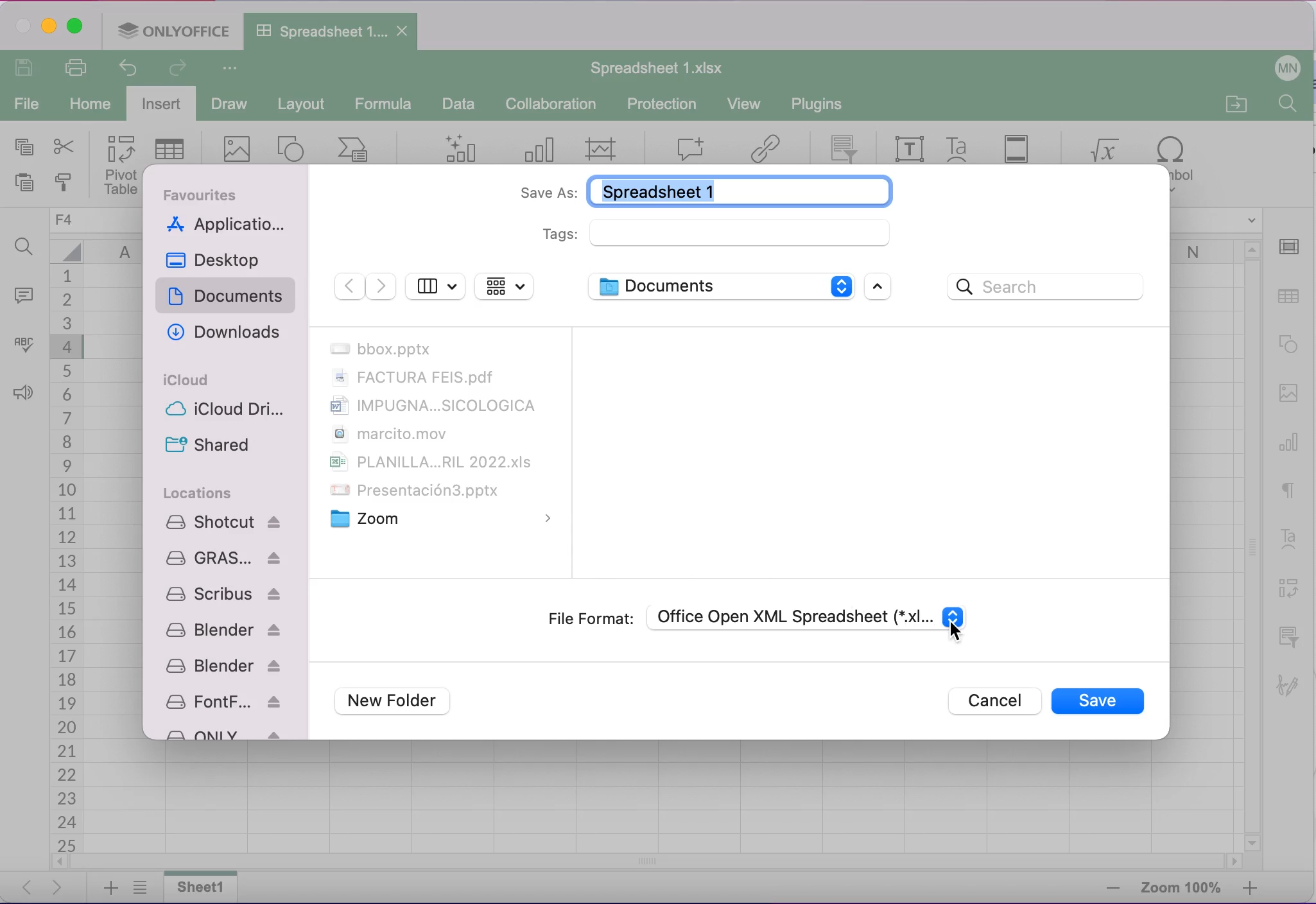 The height and width of the screenshot is (904, 1316). What do you see at coordinates (698, 189) in the screenshot?
I see `save as` at bounding box center [698, 189].